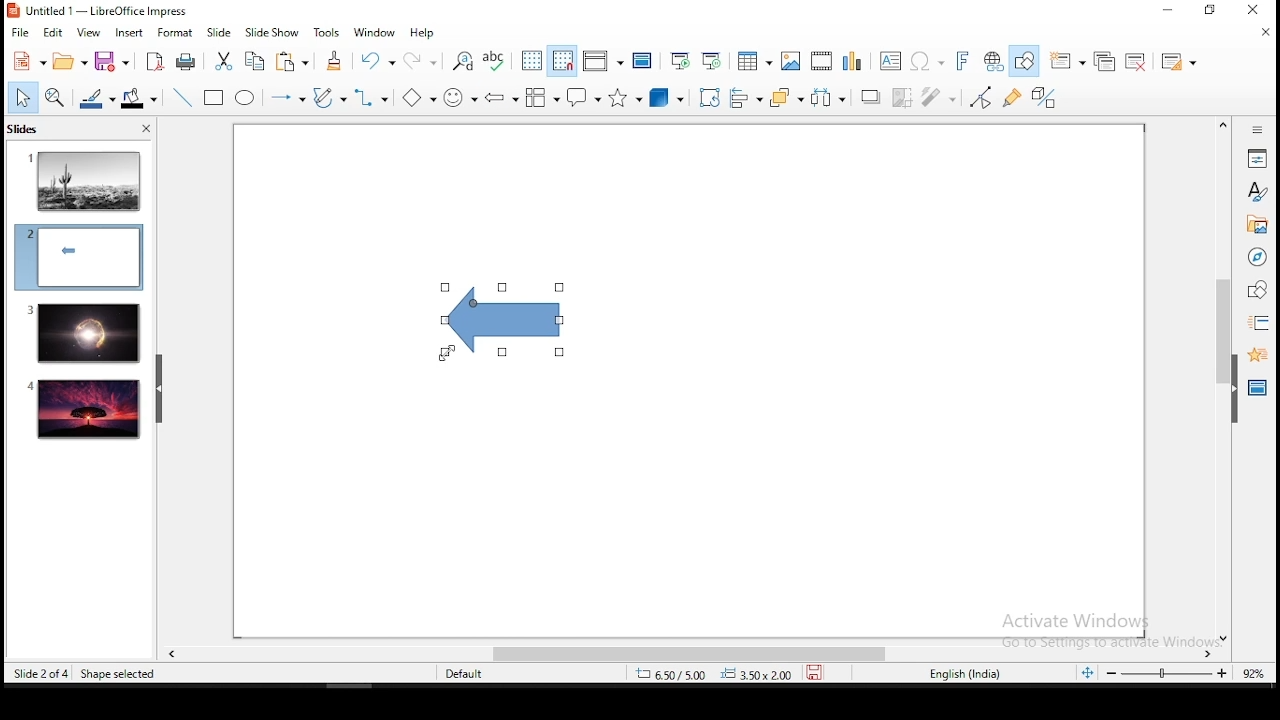  Describe the element at coordinates (1255, 353) in the screenshot. I see `animation` at that location.